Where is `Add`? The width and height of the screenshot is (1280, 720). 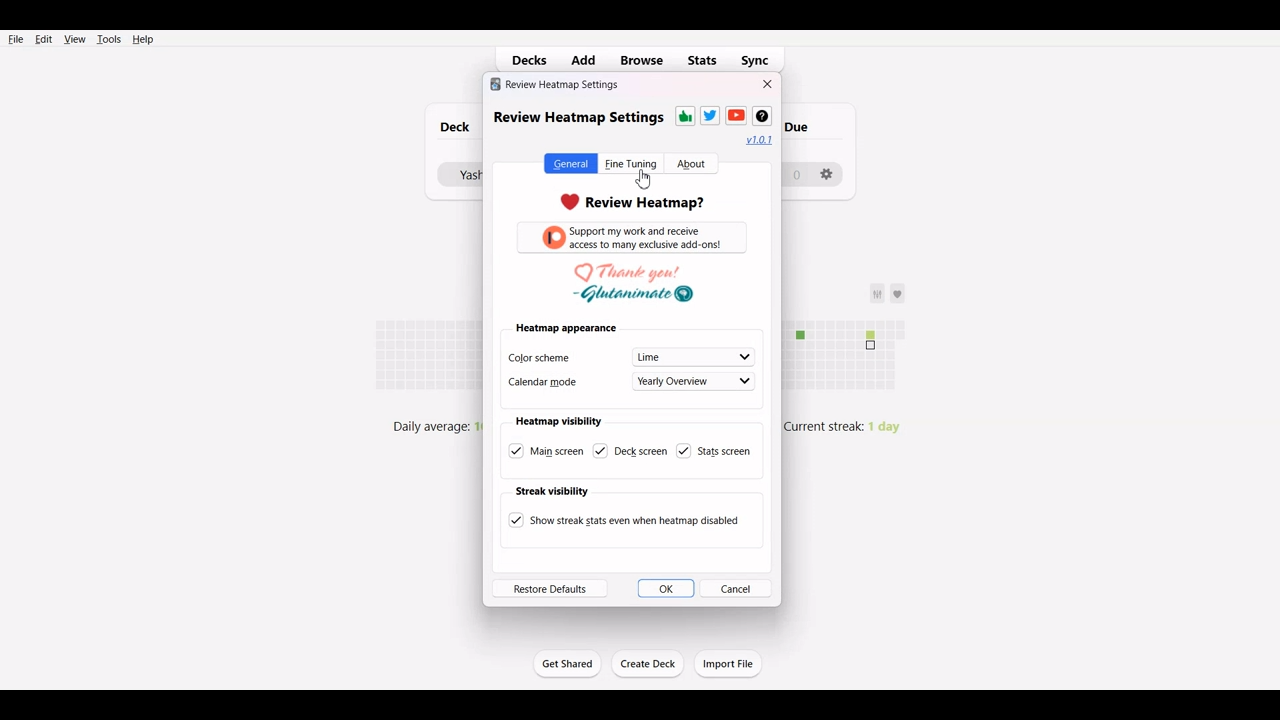
Add is located at coordinates (587, 59).